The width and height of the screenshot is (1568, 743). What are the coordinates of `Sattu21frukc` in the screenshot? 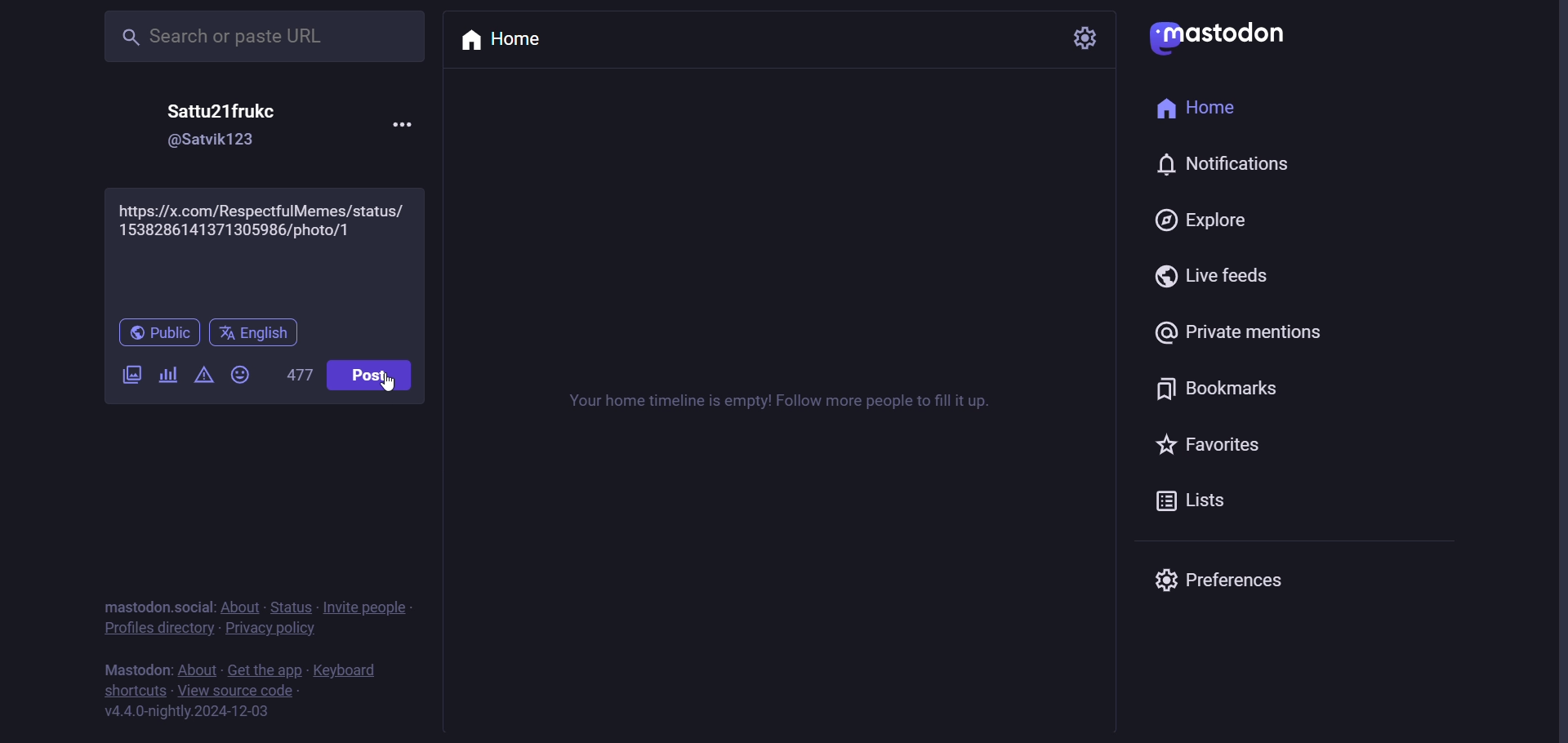 It's located at (219, 110).